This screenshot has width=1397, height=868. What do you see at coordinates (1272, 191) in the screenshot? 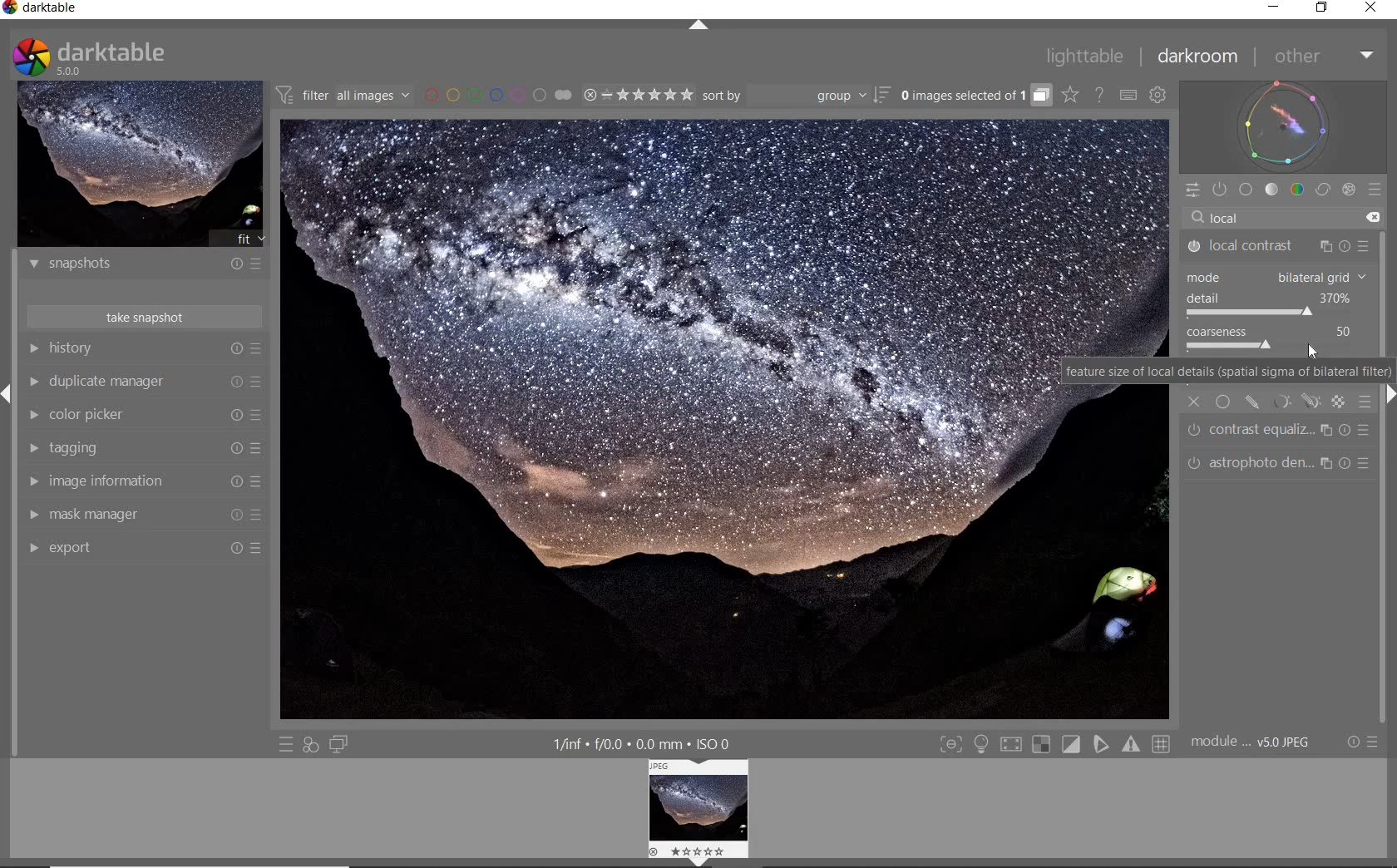
I see `TONE` at bounding box center [1272, 191].